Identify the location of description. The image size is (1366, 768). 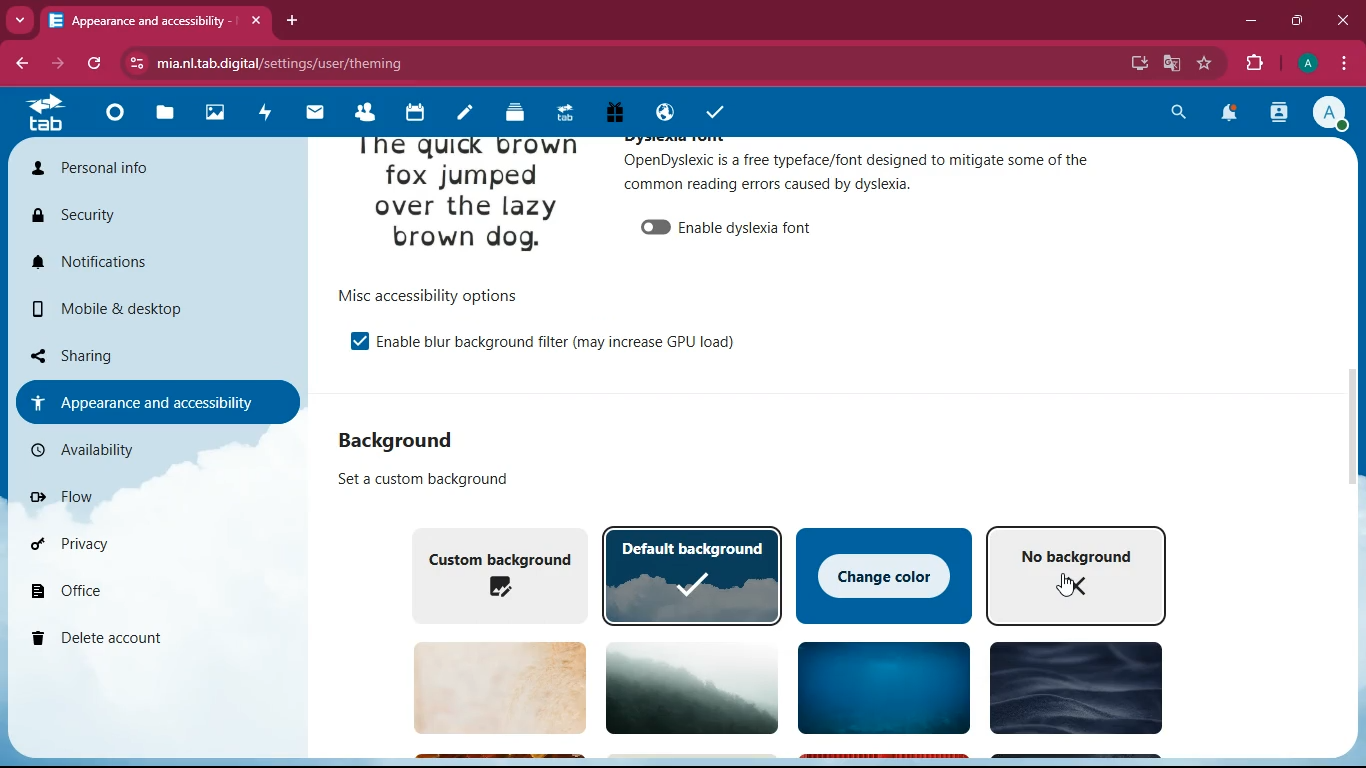
(413, 479).